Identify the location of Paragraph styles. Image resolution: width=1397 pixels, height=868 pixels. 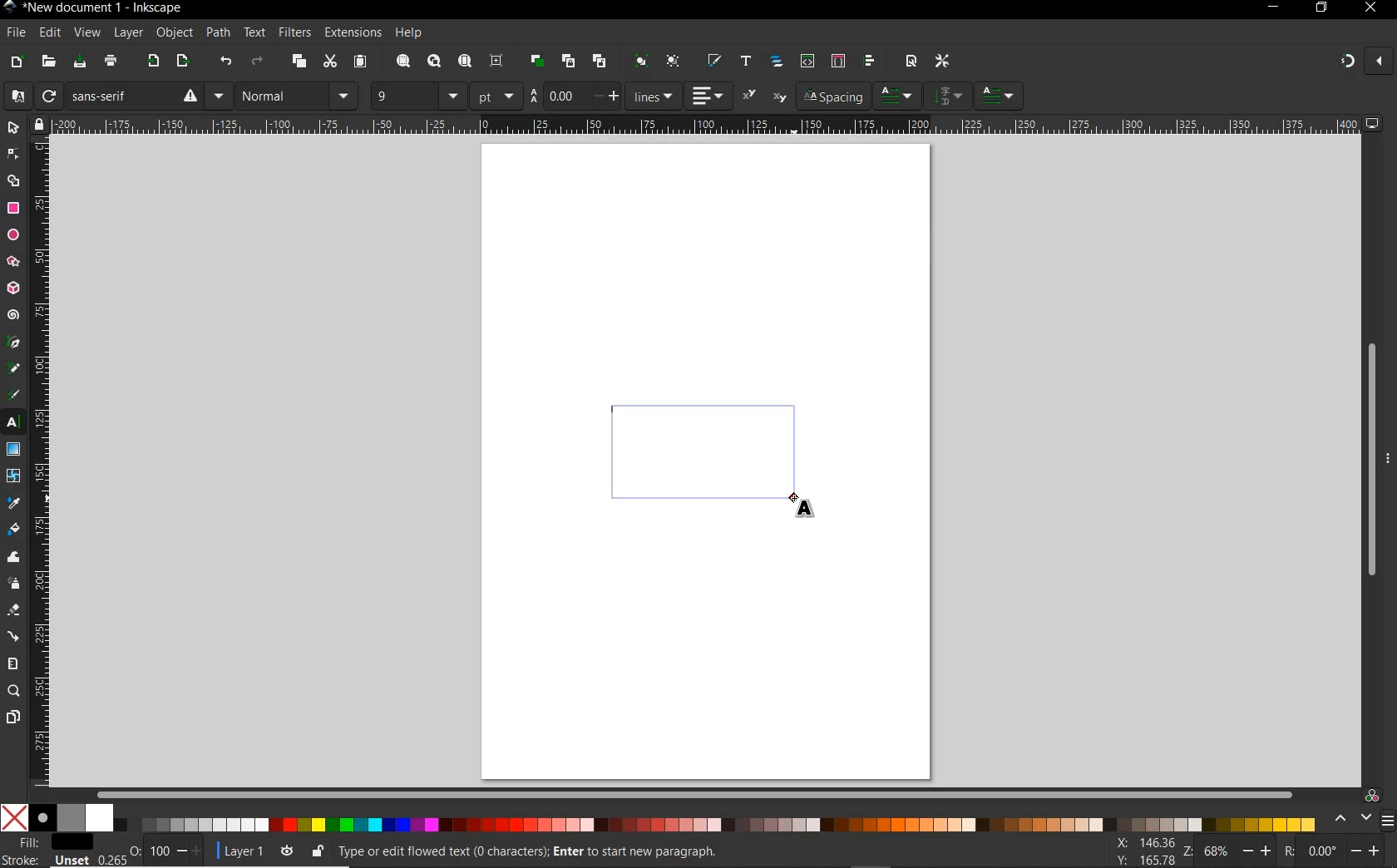
(898, 96).